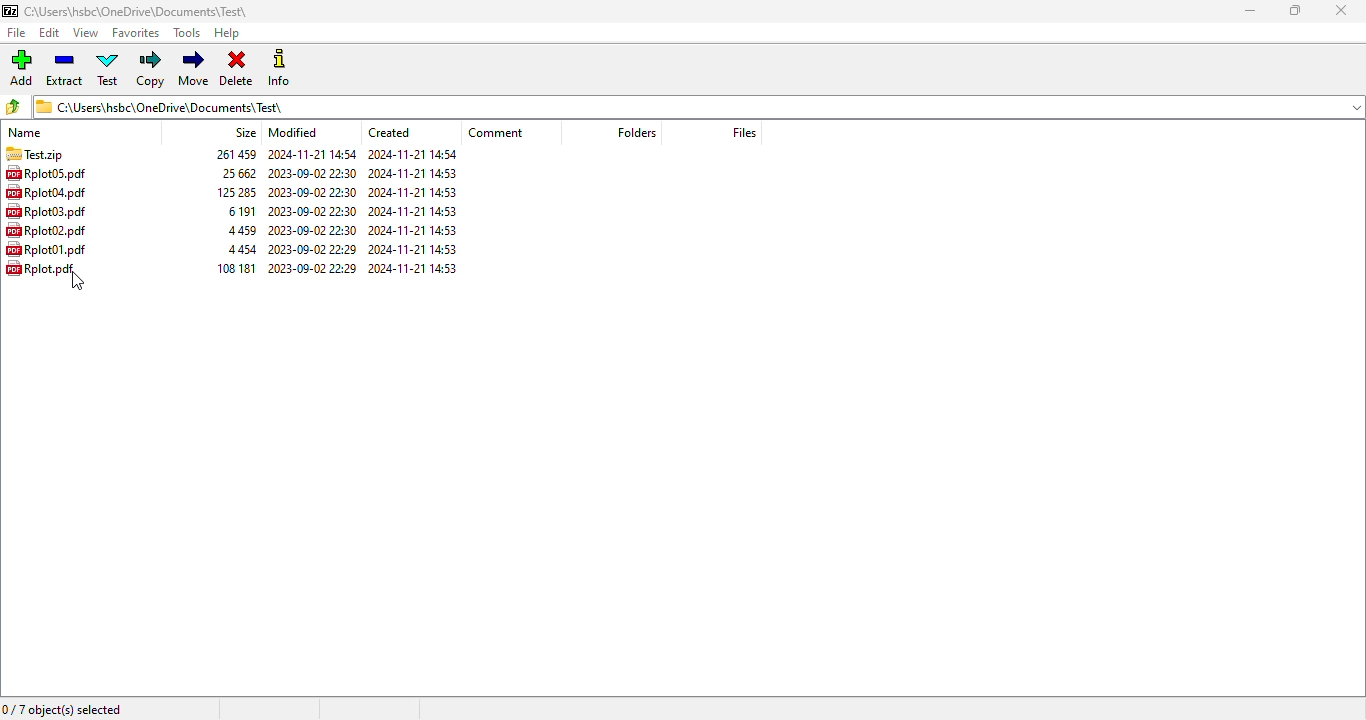 Image resolution: width=1366 pixels, height=720 pixels. Describe the element at coordinates (227, 34) in the screenshot. I see `help` at that location.